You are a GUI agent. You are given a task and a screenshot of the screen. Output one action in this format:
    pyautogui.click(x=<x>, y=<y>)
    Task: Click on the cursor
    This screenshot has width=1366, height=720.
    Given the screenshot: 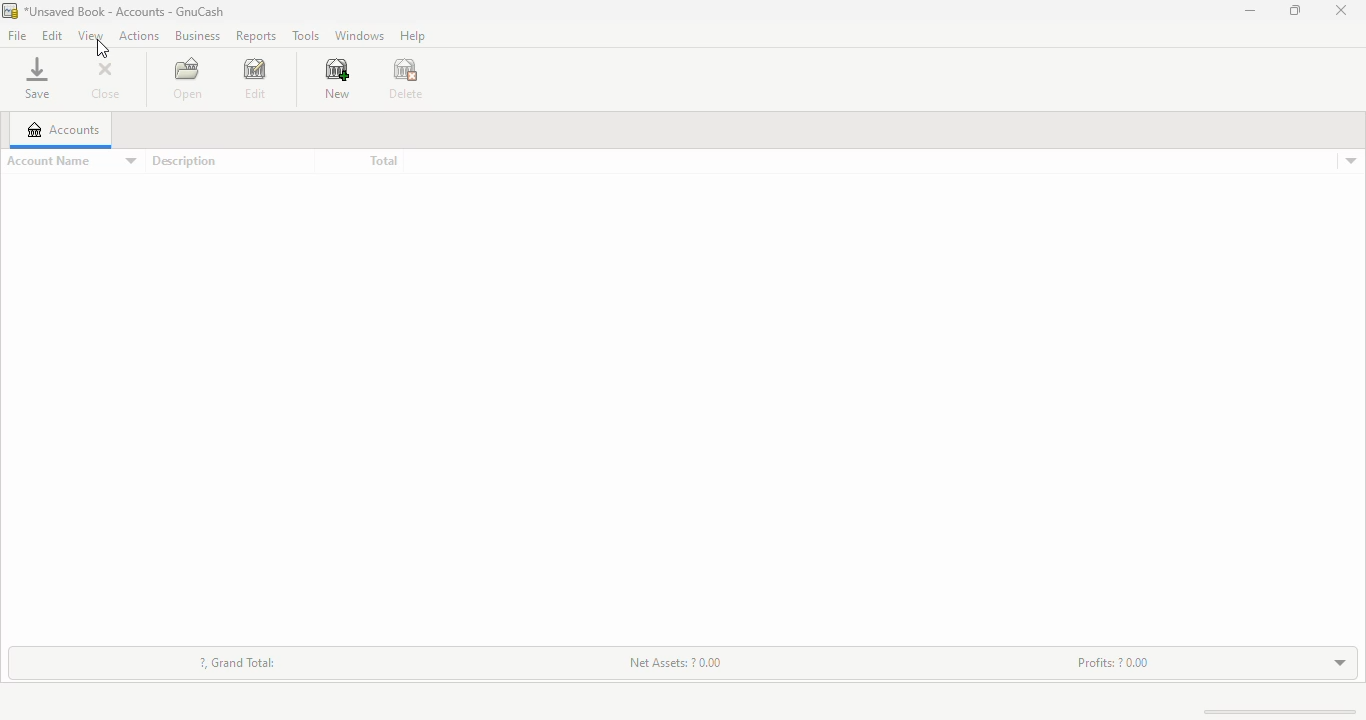 What is the action you would take?
    pyautogui.click(x=103, y=49)
    